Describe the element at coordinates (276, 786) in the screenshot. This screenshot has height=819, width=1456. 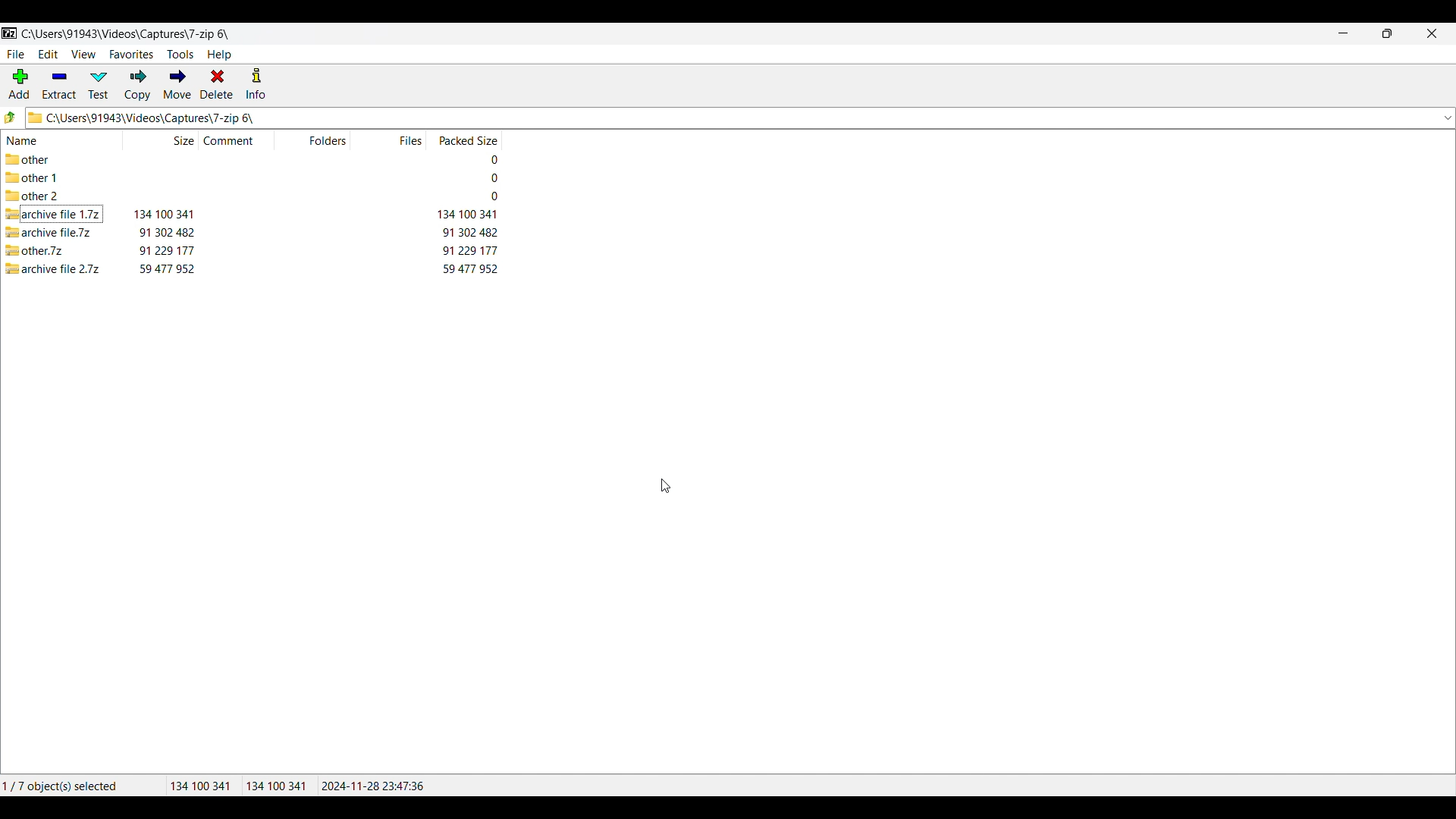
I see `134100 341` at that location.